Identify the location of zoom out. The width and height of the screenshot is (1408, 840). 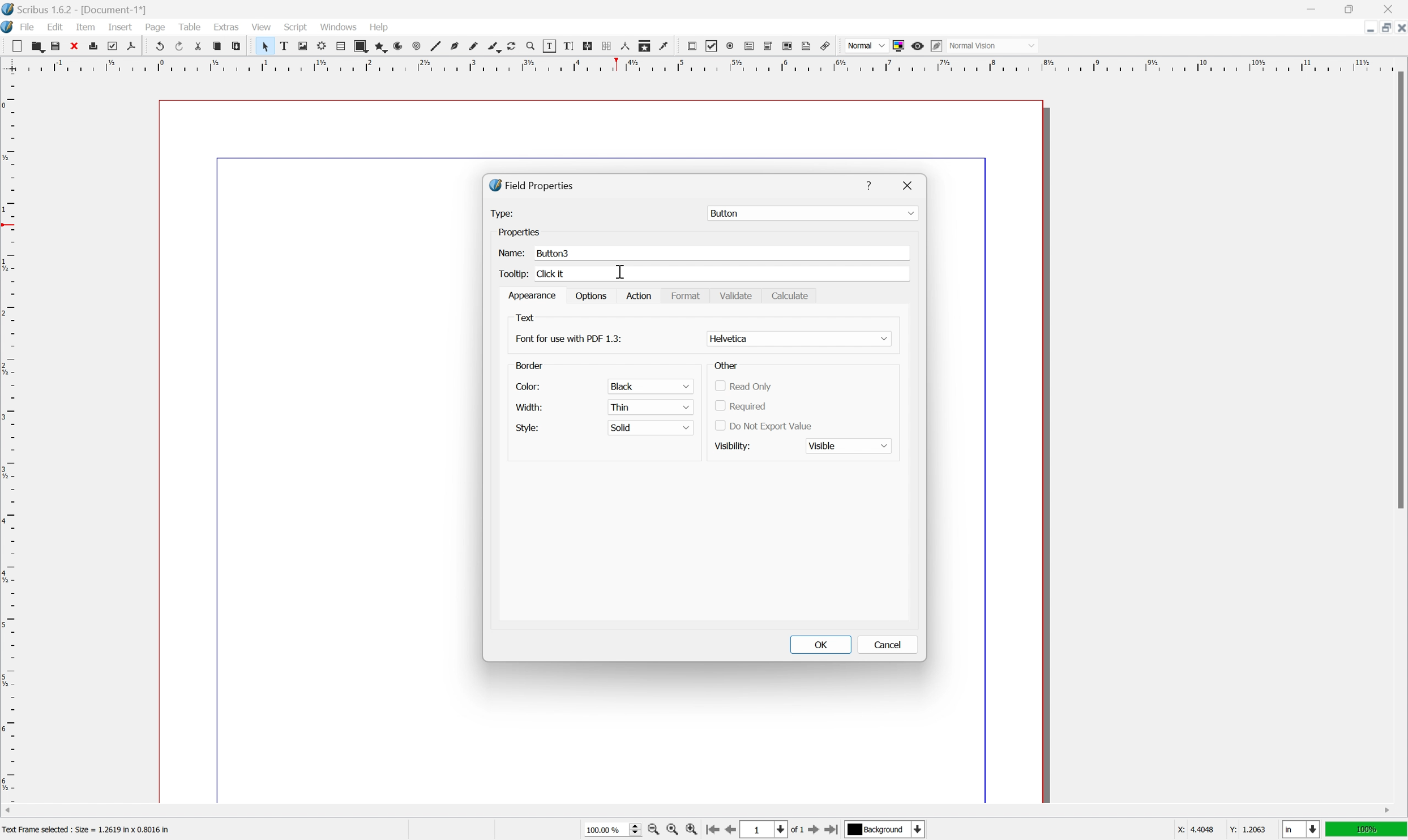
(654, 830).